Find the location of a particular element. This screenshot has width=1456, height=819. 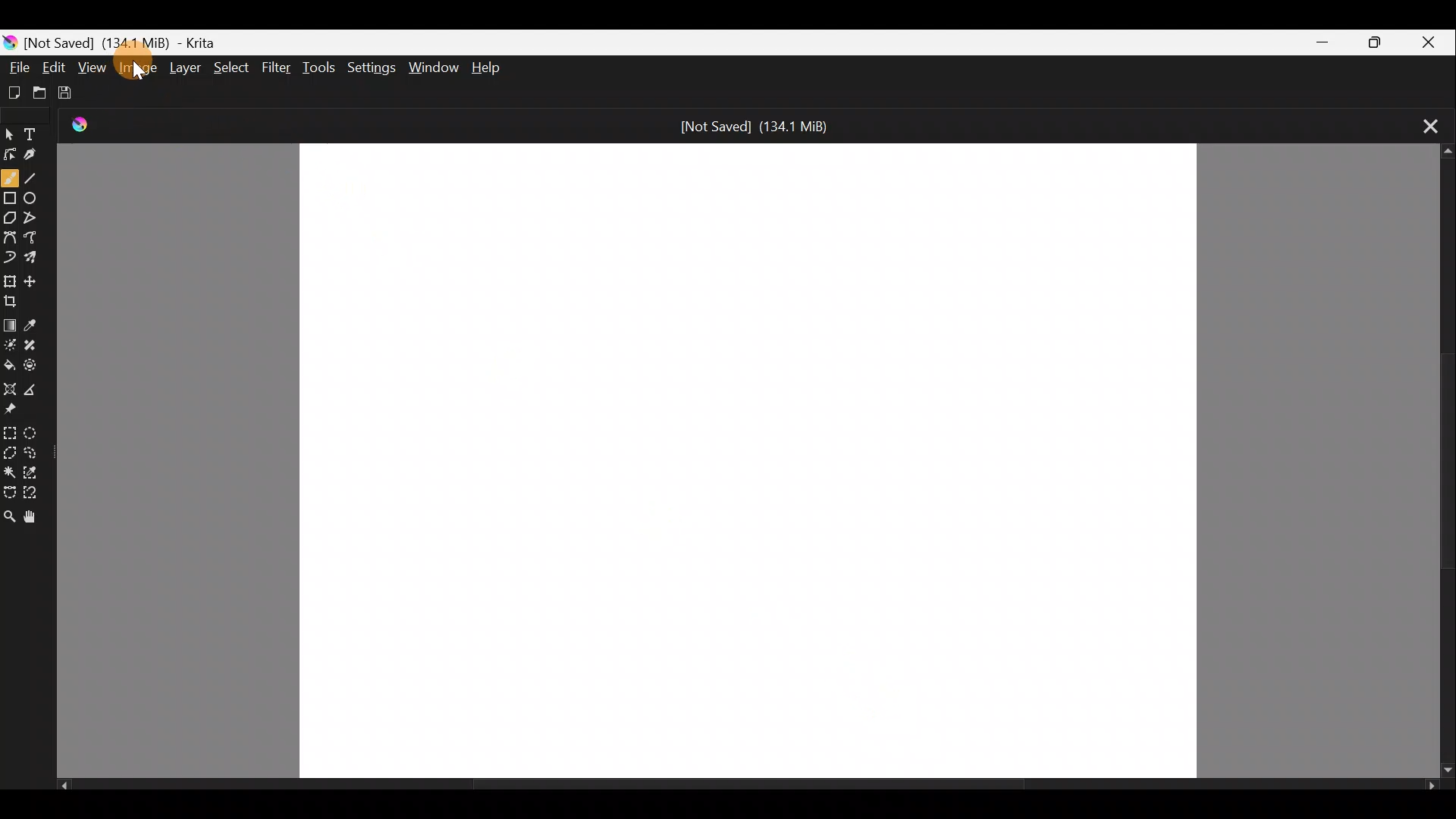

Maximize is located at coordinates (1370, 41).